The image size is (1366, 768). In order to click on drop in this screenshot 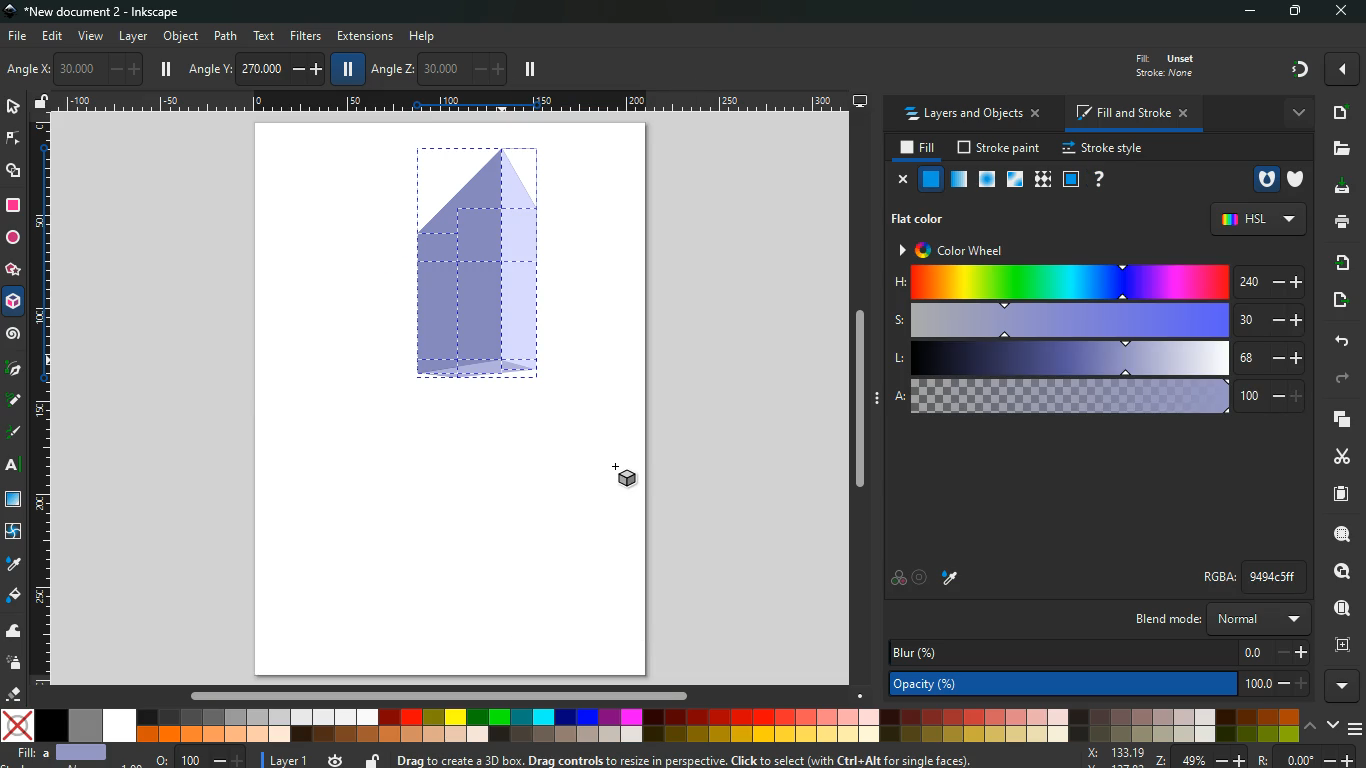, I will do `click(952, 579)`.